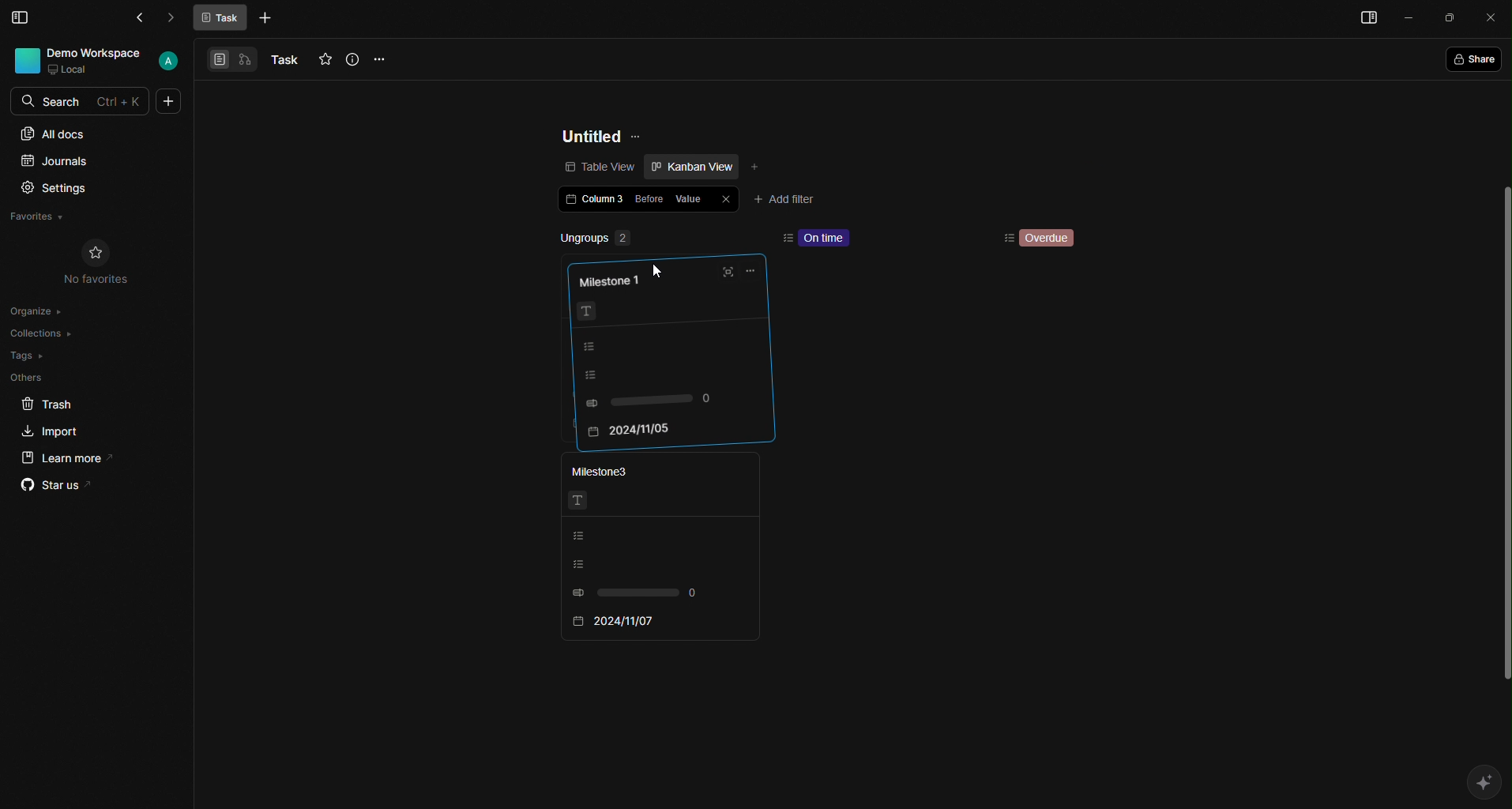  Describe the element at coordinates (649, 198) in the screenshot. I see `Before` at that location.